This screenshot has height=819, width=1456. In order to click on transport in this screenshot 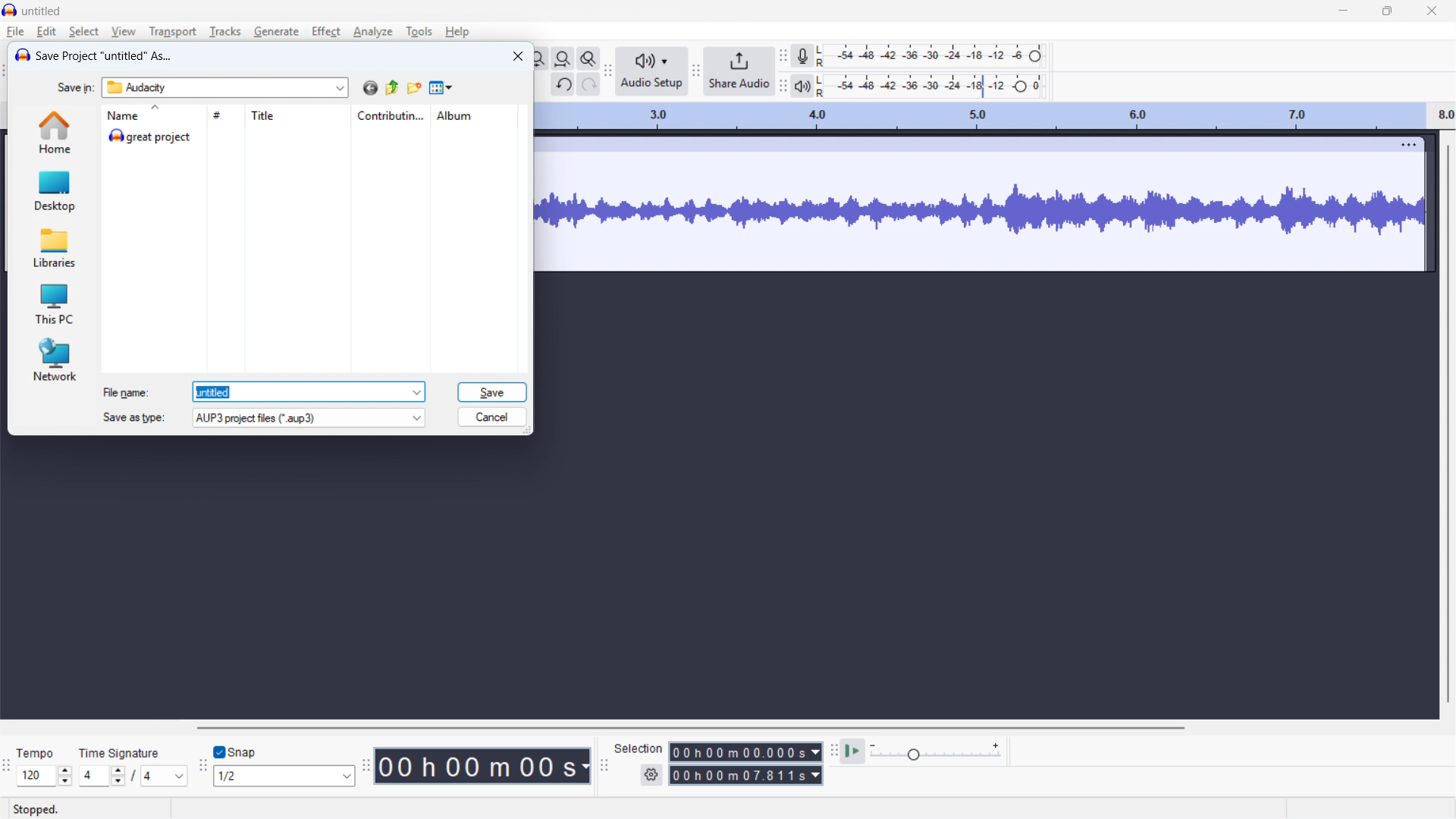, I will do `click(173, 32)`.